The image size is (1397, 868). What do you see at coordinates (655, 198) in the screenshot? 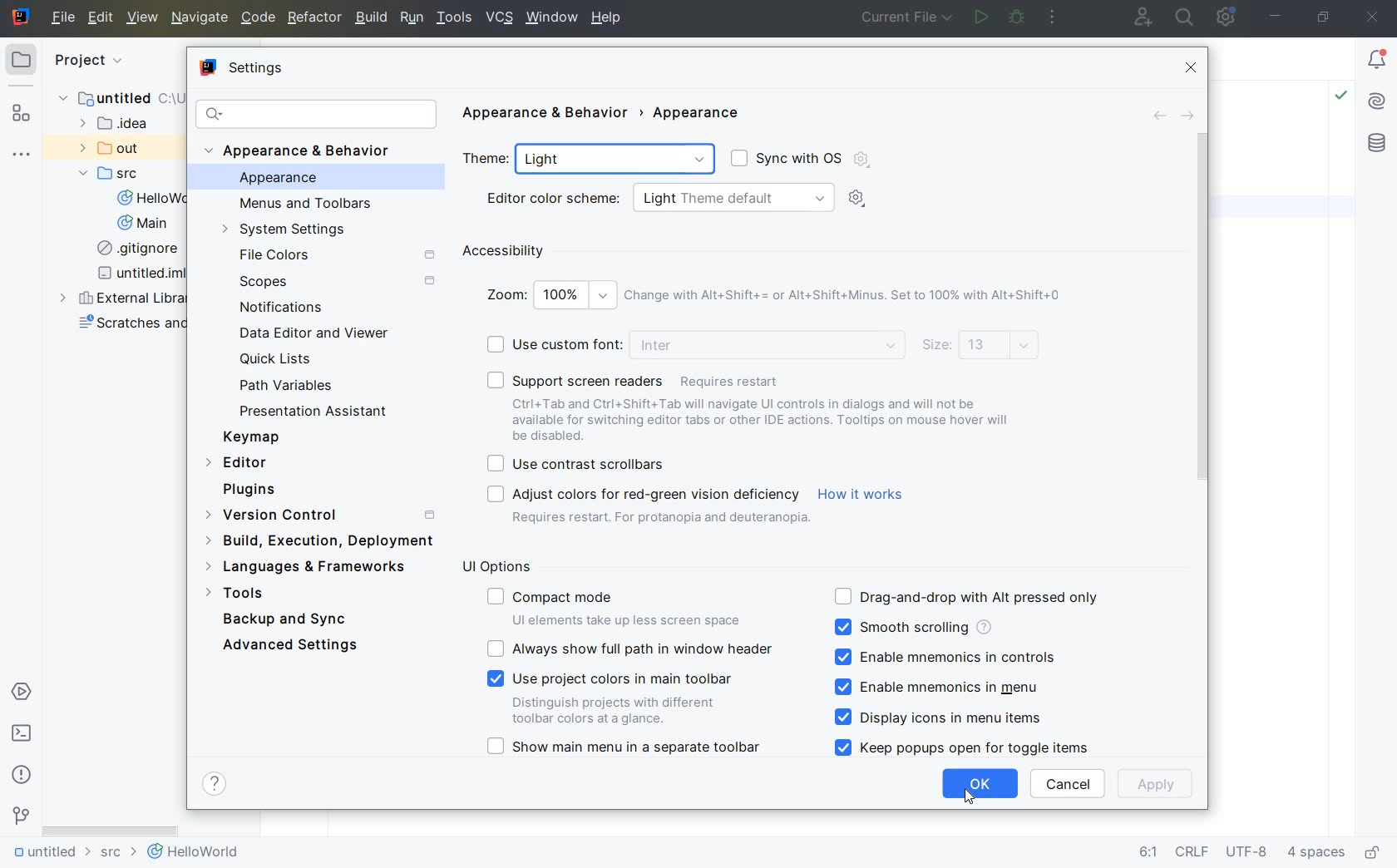
I see `Editor color scheme: Light` at bounding box center [655, 198].